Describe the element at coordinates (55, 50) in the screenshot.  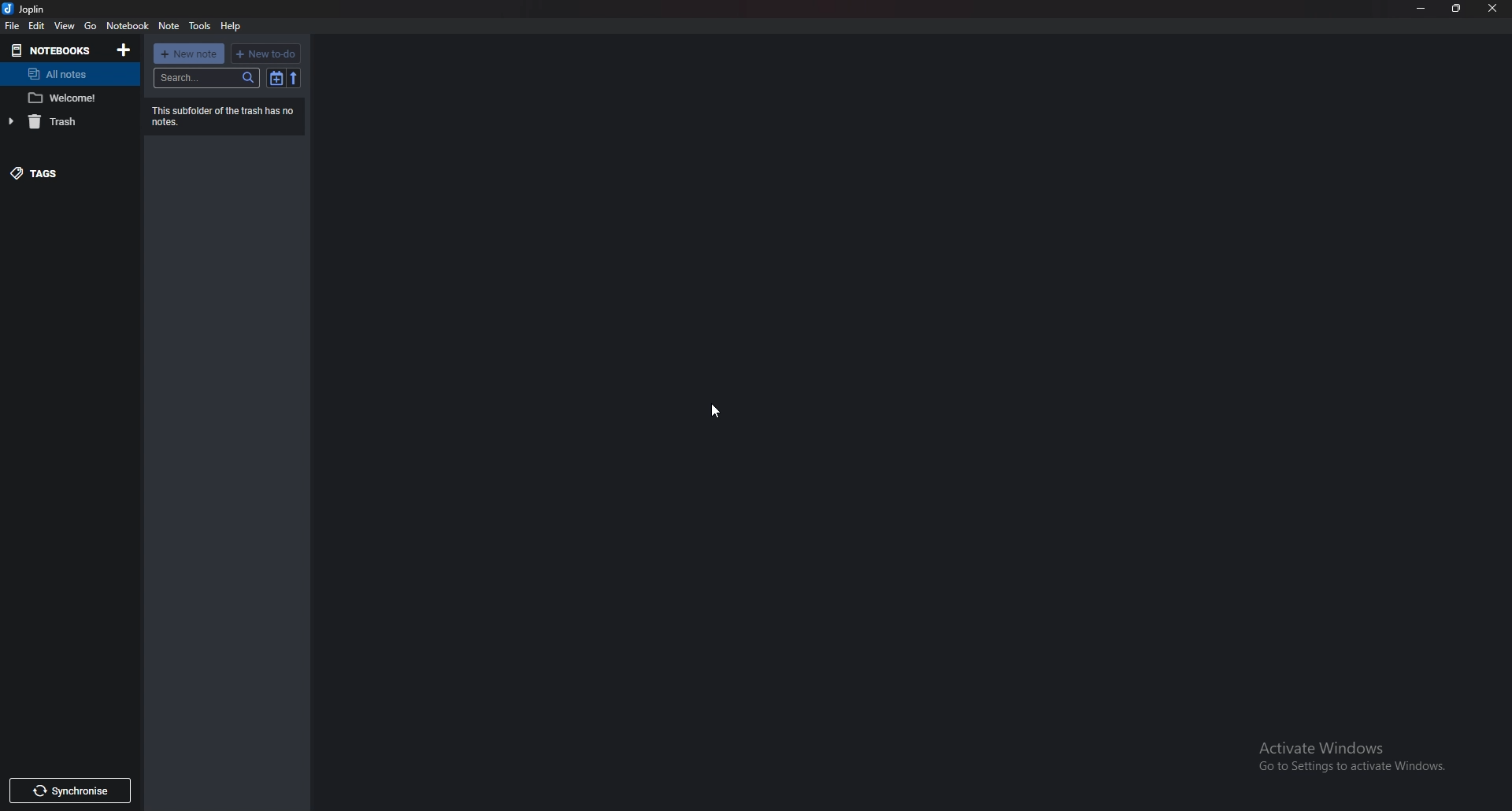
I see `Notebooks` at that location.